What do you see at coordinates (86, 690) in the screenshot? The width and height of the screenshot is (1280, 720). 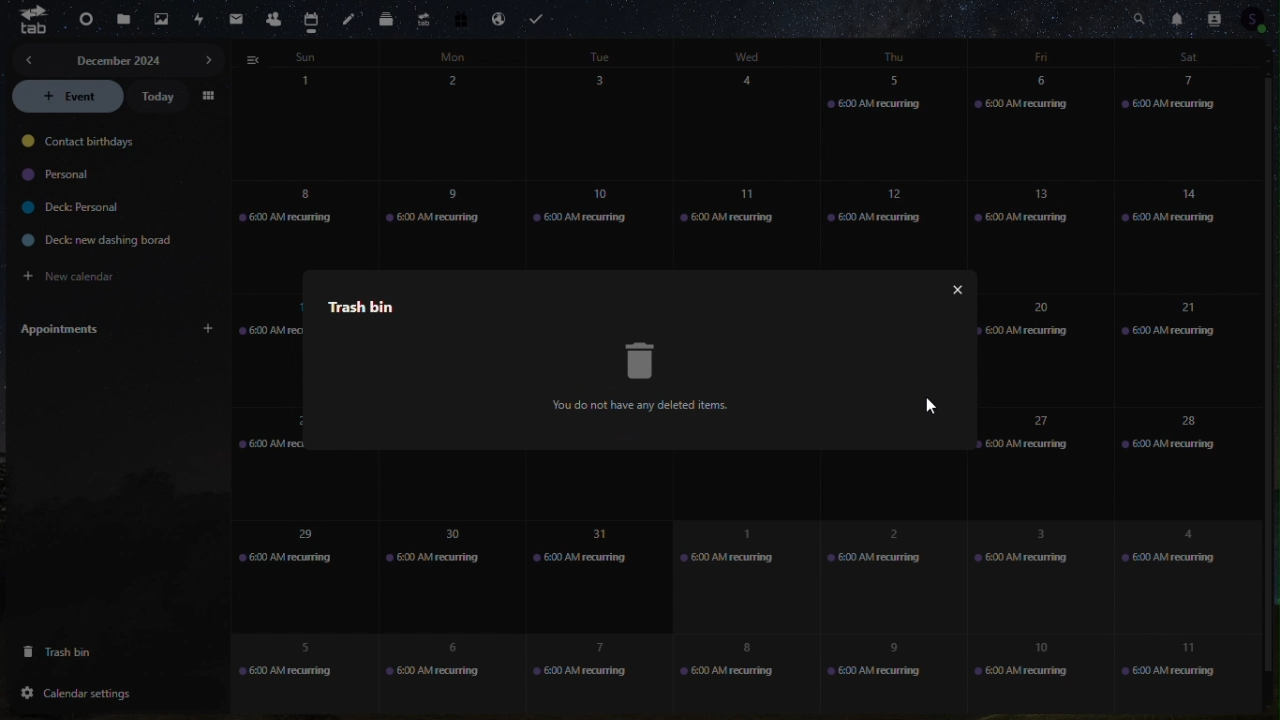 I see `calendar settings` at bounding box center [86, 690].